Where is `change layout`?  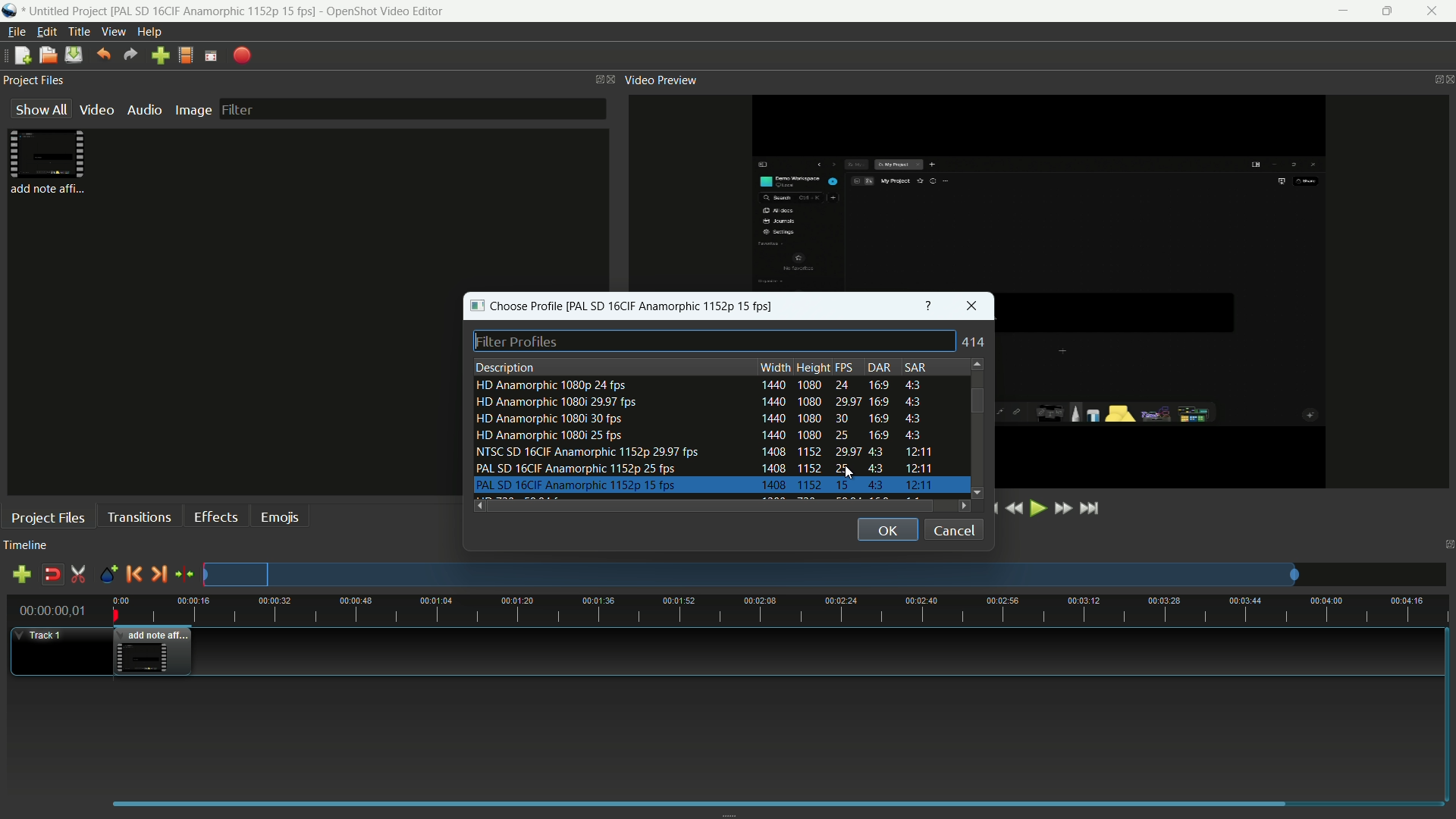
change layout is located at coordinates (590, 79).